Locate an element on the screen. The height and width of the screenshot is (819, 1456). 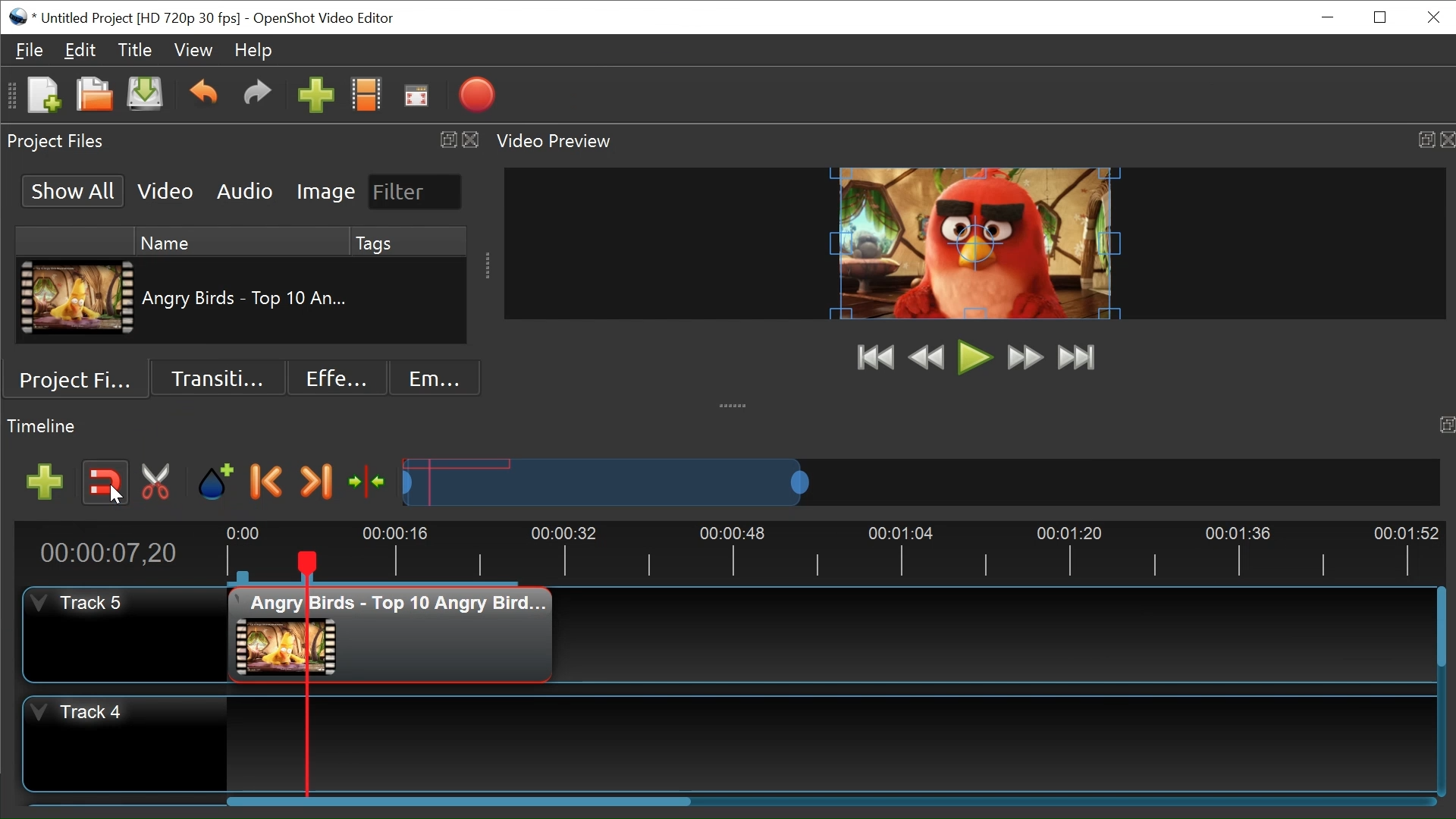
cursor is located at coordinates (113, 499).